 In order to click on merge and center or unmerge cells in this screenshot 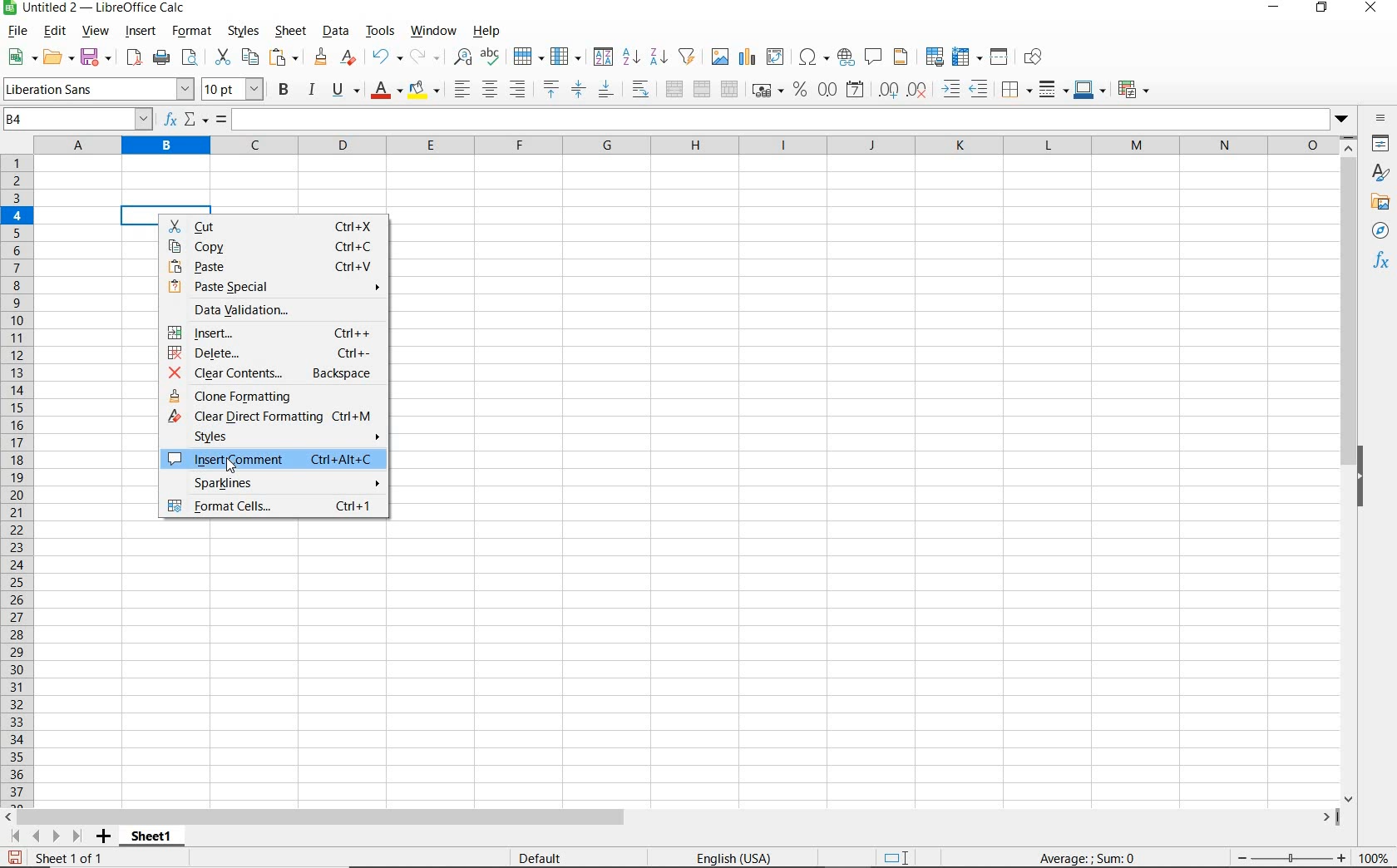, I will do `click(674, 89)`.